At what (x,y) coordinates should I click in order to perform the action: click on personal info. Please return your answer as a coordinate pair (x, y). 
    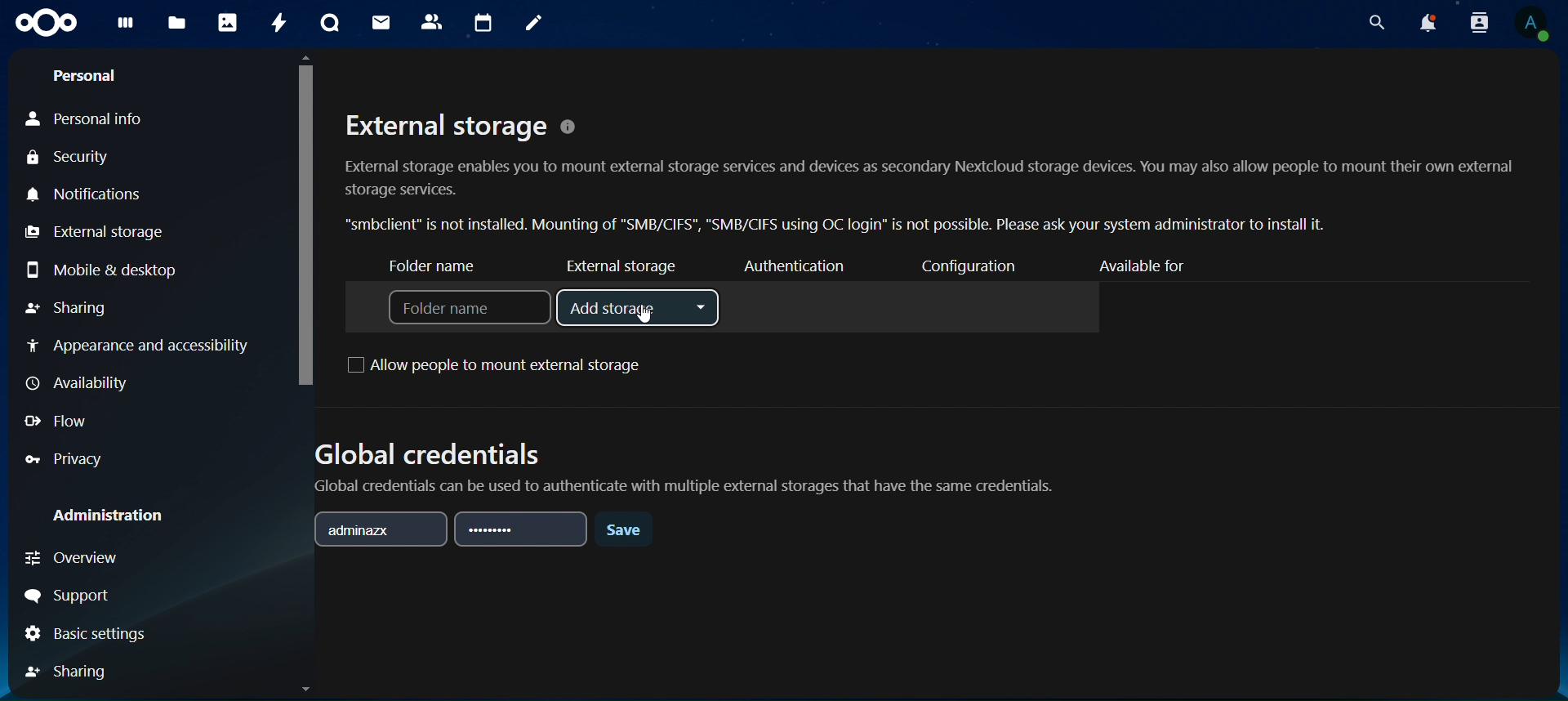
    Looking at the image, I should click on (90, 115).